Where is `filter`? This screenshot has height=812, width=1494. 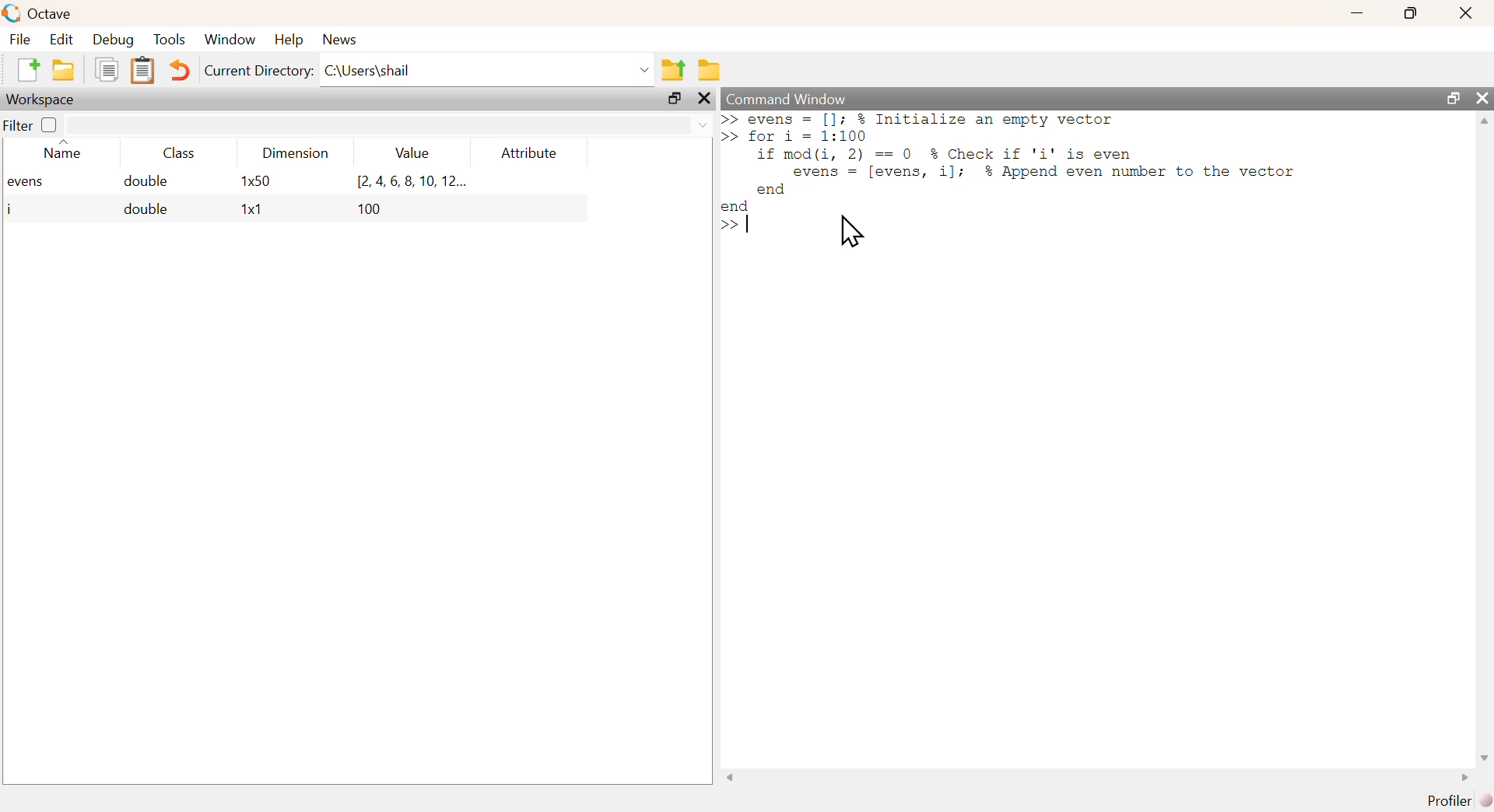
filter is located at coordinates (18, 124).